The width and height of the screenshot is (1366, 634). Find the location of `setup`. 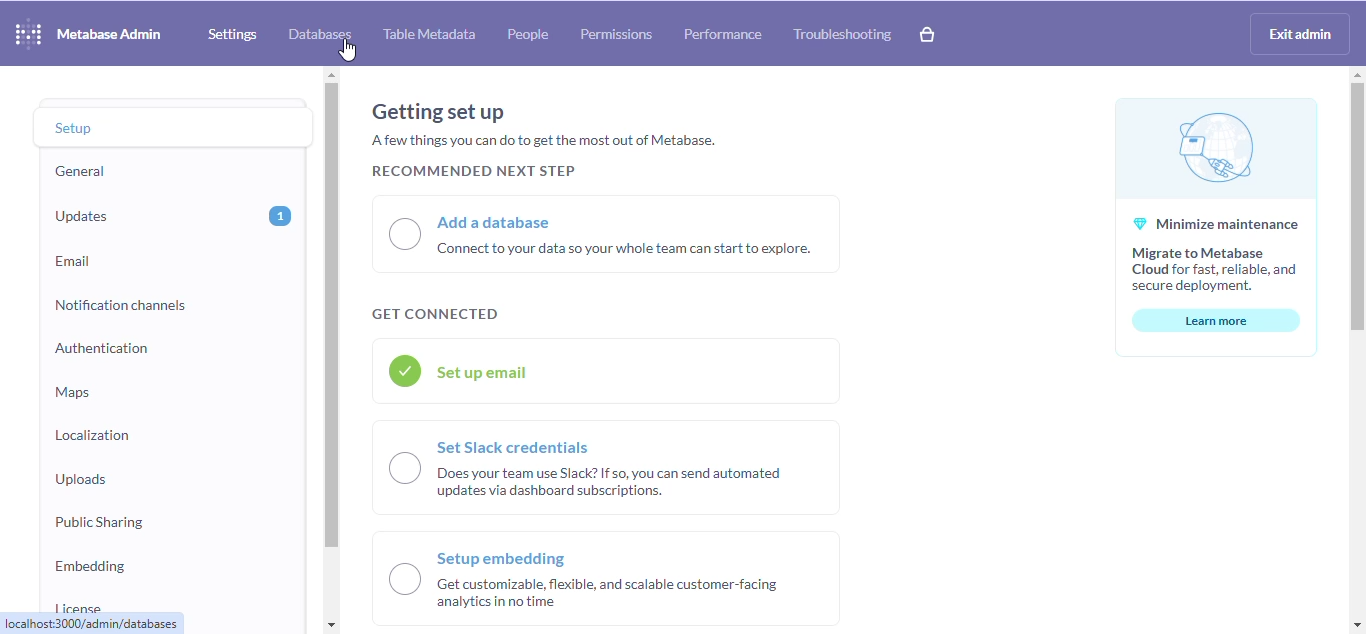

setup is located at coordinates (81, 126).